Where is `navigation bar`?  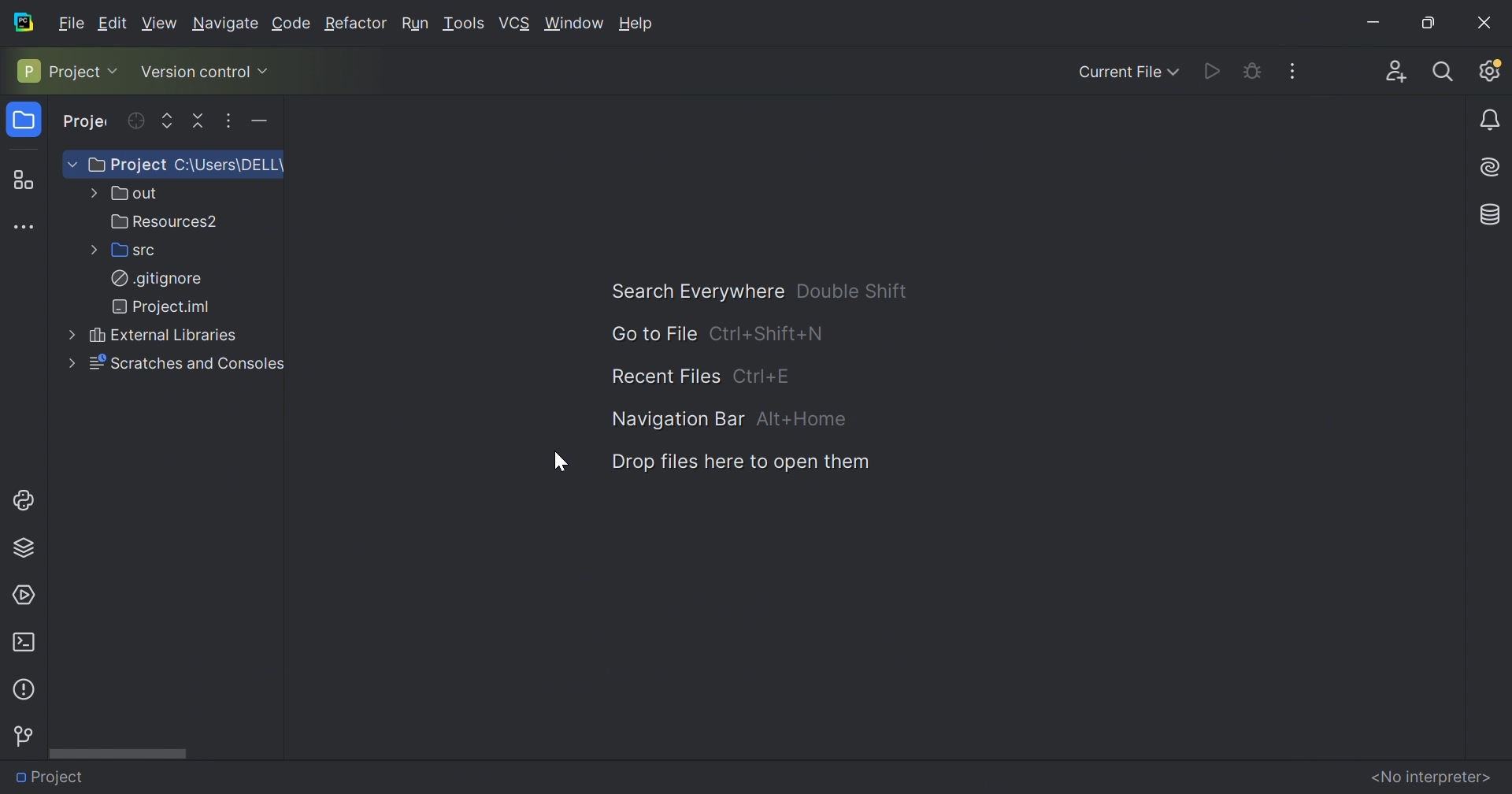 navigation bar is located at coordinates (676, 416).